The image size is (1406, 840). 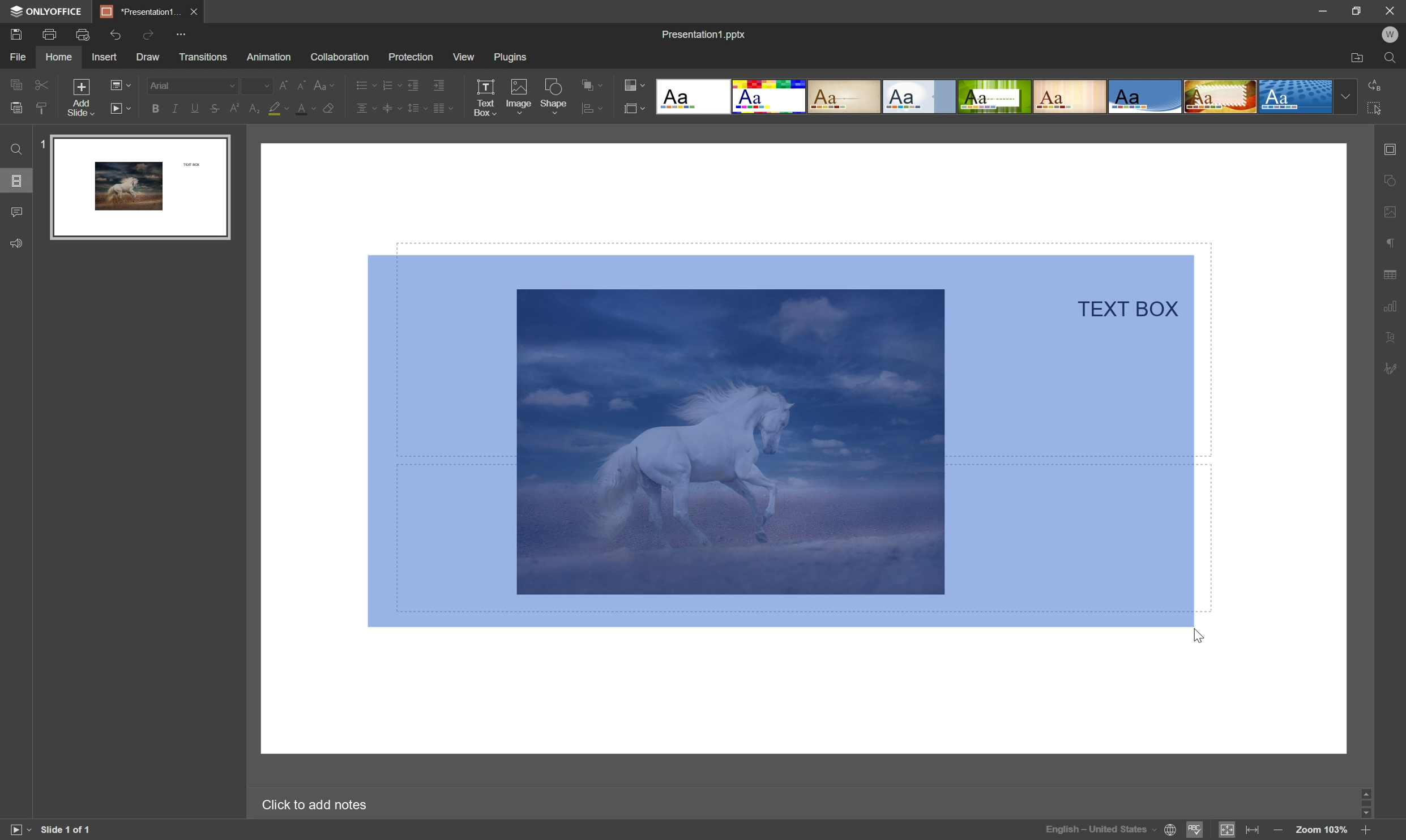 I want to click on selection highlight, so click(x=780, y=439).